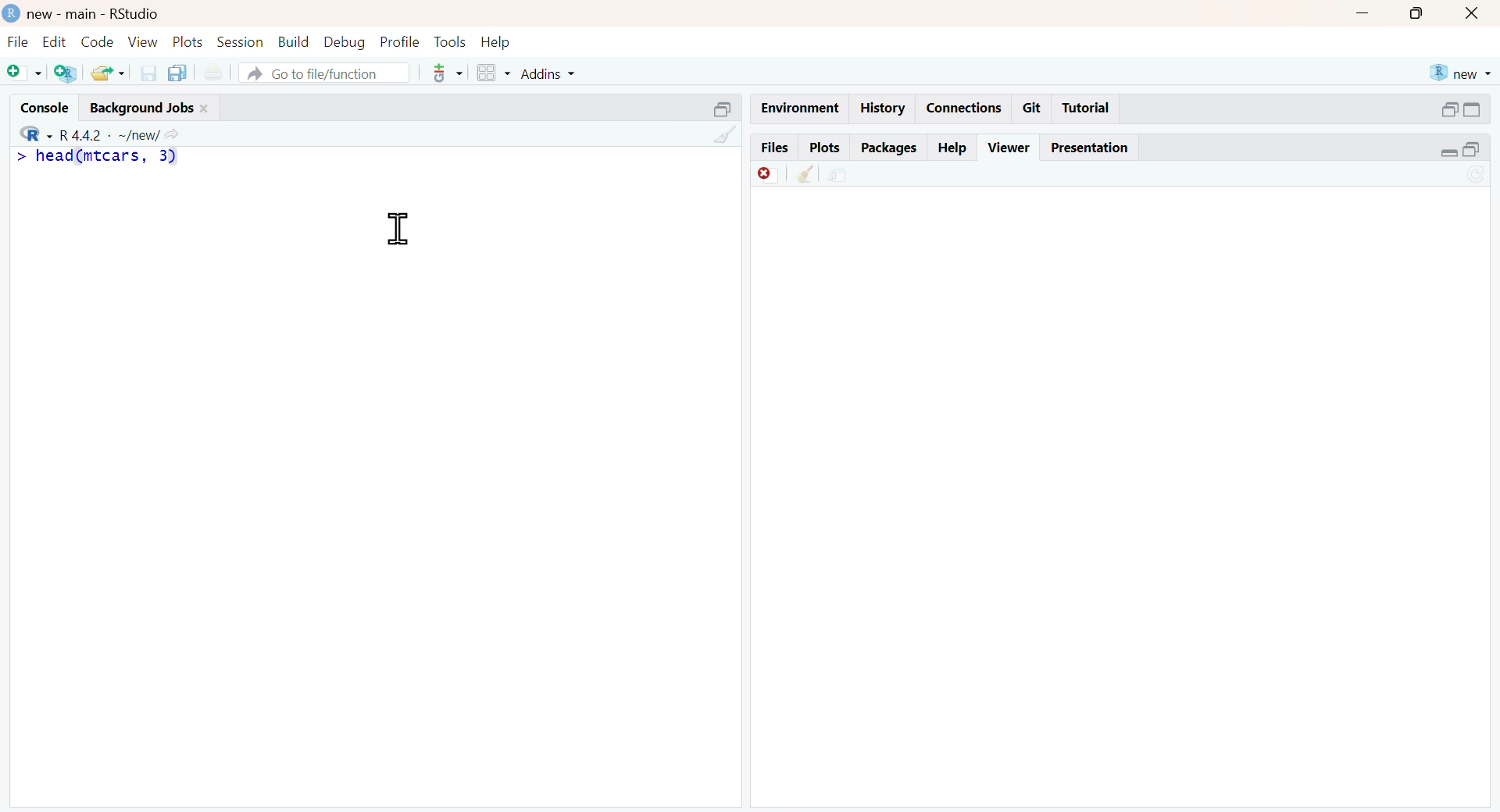 This screenshot has width=1500, height=812. What do you see at coordinates (294, 40) in the screenshot?
I see `Build` at bounding box center [294, 40].